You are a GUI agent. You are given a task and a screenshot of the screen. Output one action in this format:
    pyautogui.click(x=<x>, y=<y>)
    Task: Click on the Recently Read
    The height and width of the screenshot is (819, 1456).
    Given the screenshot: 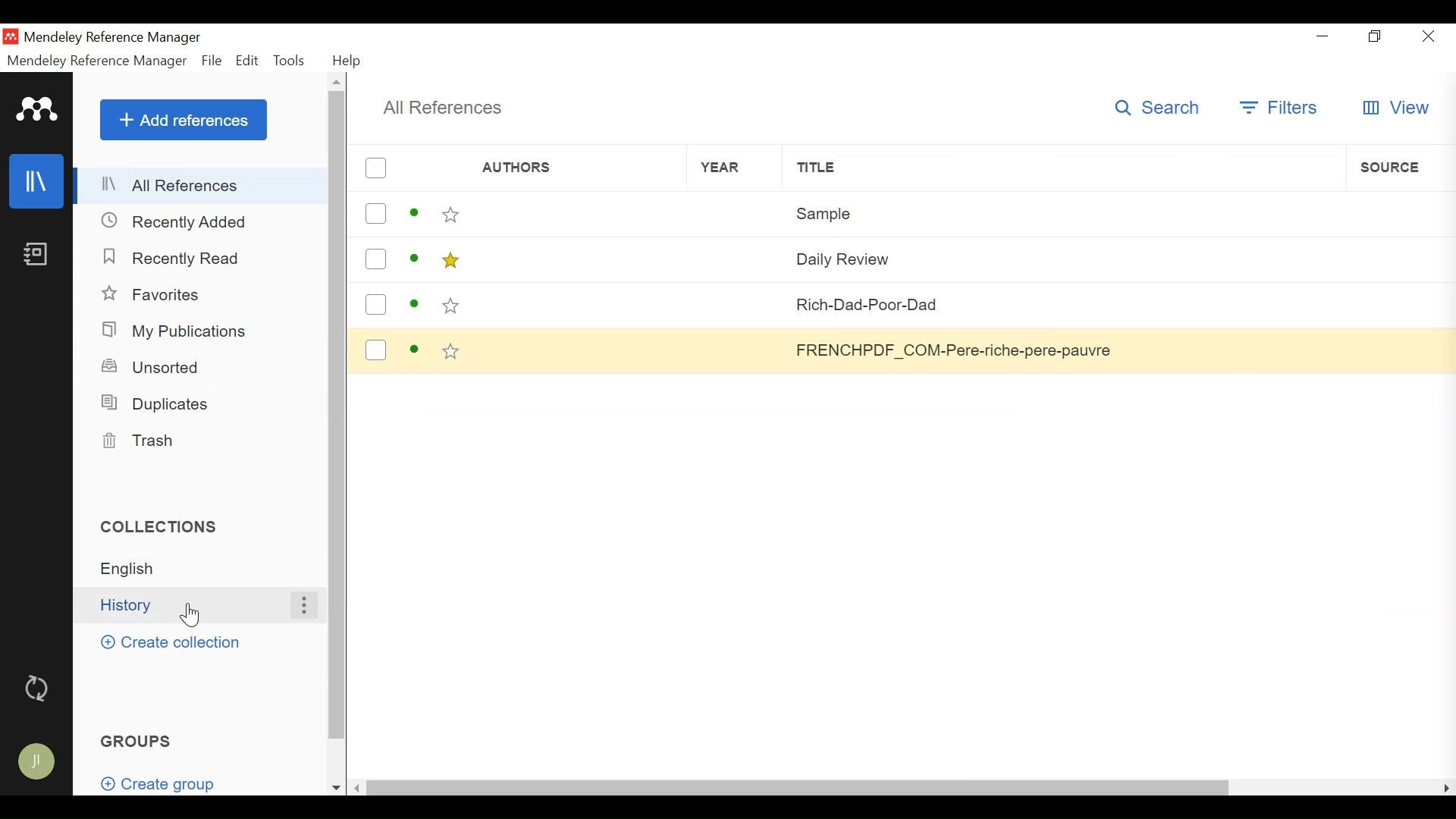 What is the action you would take?
    pyautogui.click(x=172, y=256)
    